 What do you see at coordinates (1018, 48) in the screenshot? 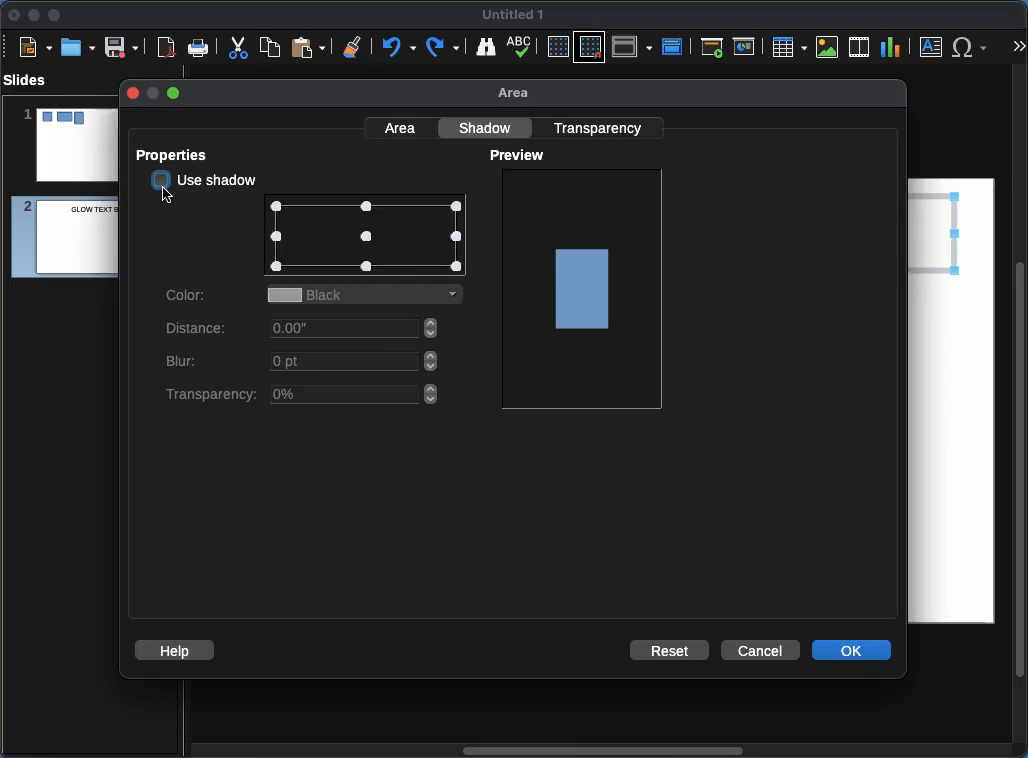
I see `More` at bounding box center [1018, 48].